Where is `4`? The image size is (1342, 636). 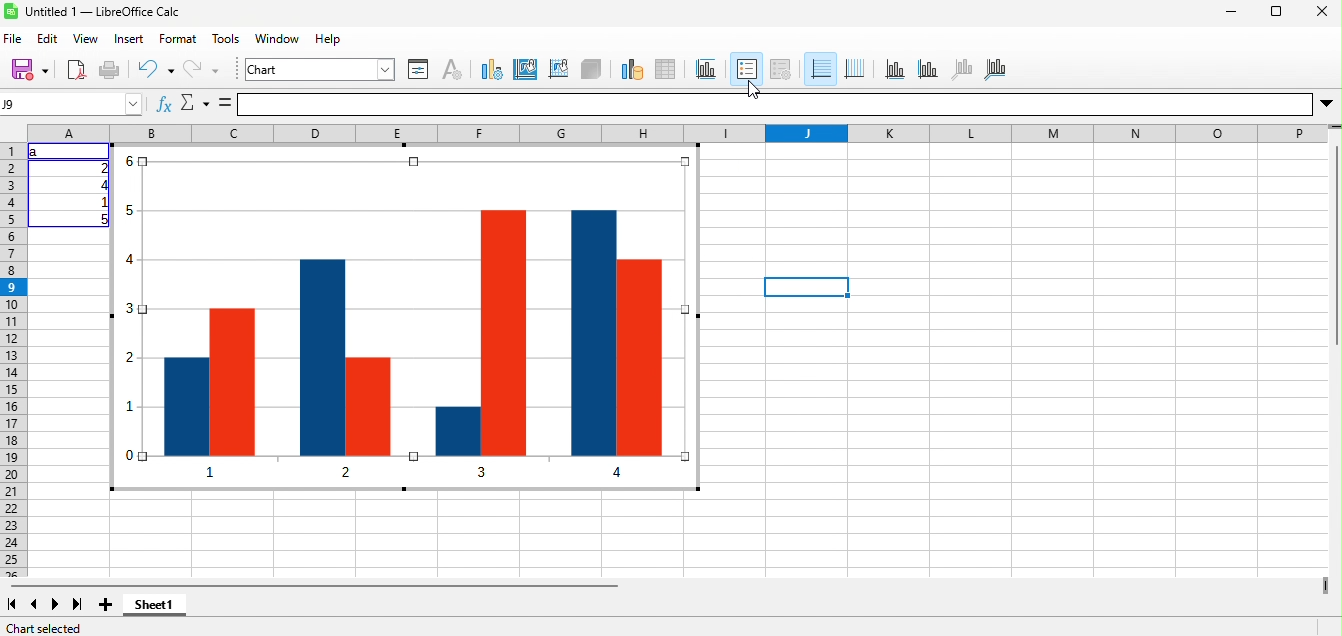
4 is located at coordinates (103, 185).